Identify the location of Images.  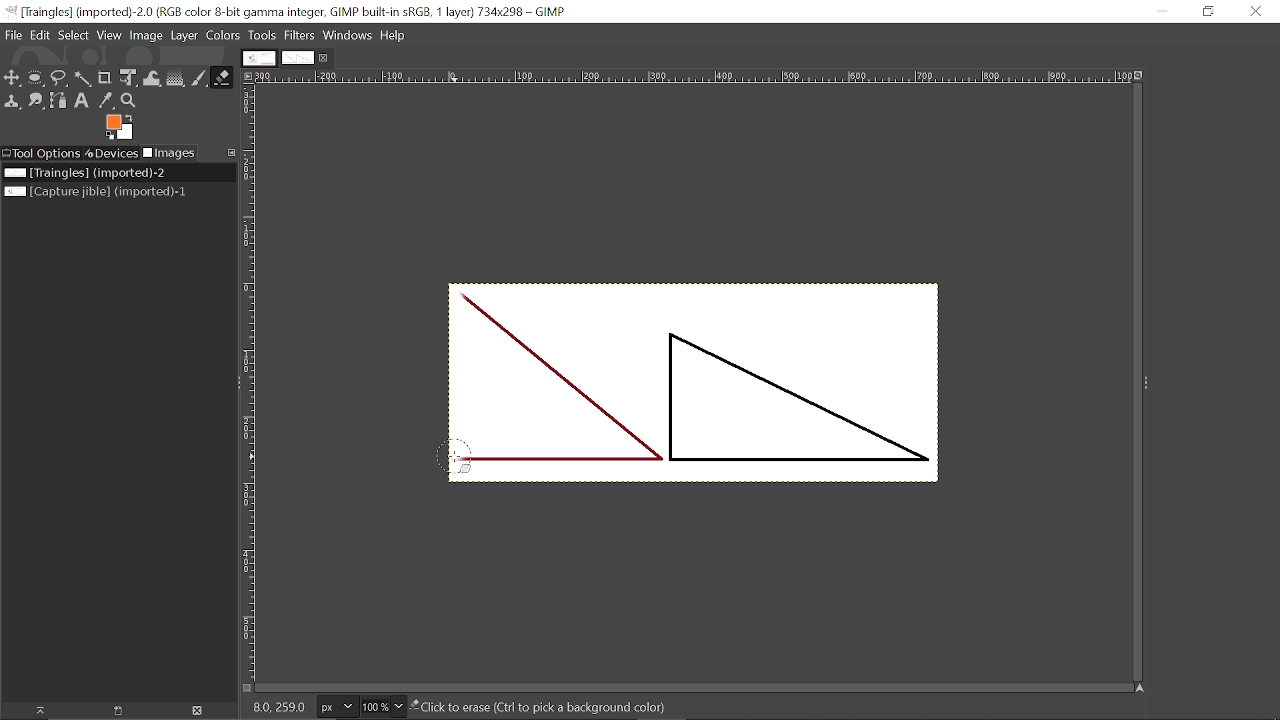
(169, 153).